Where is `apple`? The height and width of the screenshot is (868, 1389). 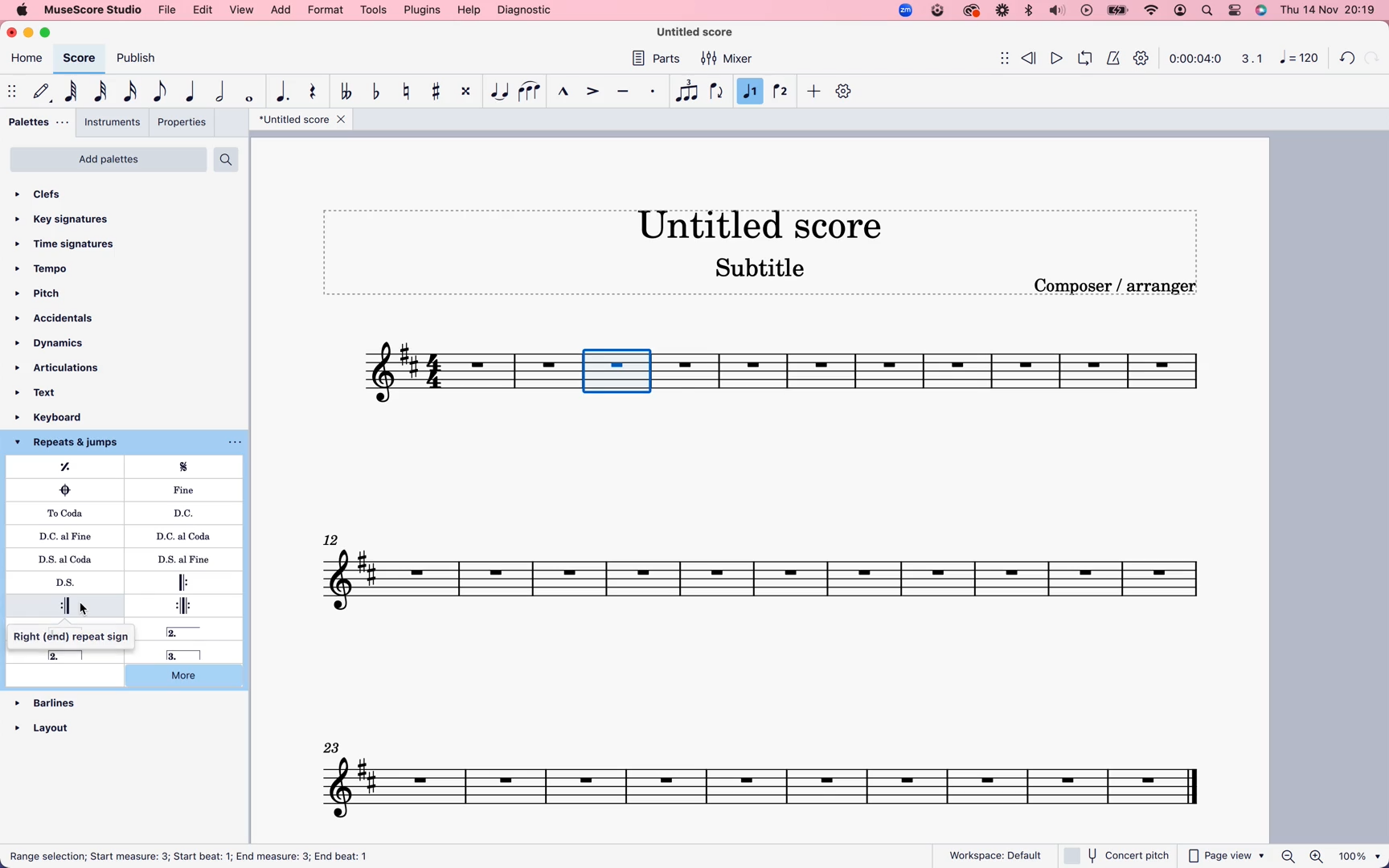
apple is located at coordinates (21, 10).